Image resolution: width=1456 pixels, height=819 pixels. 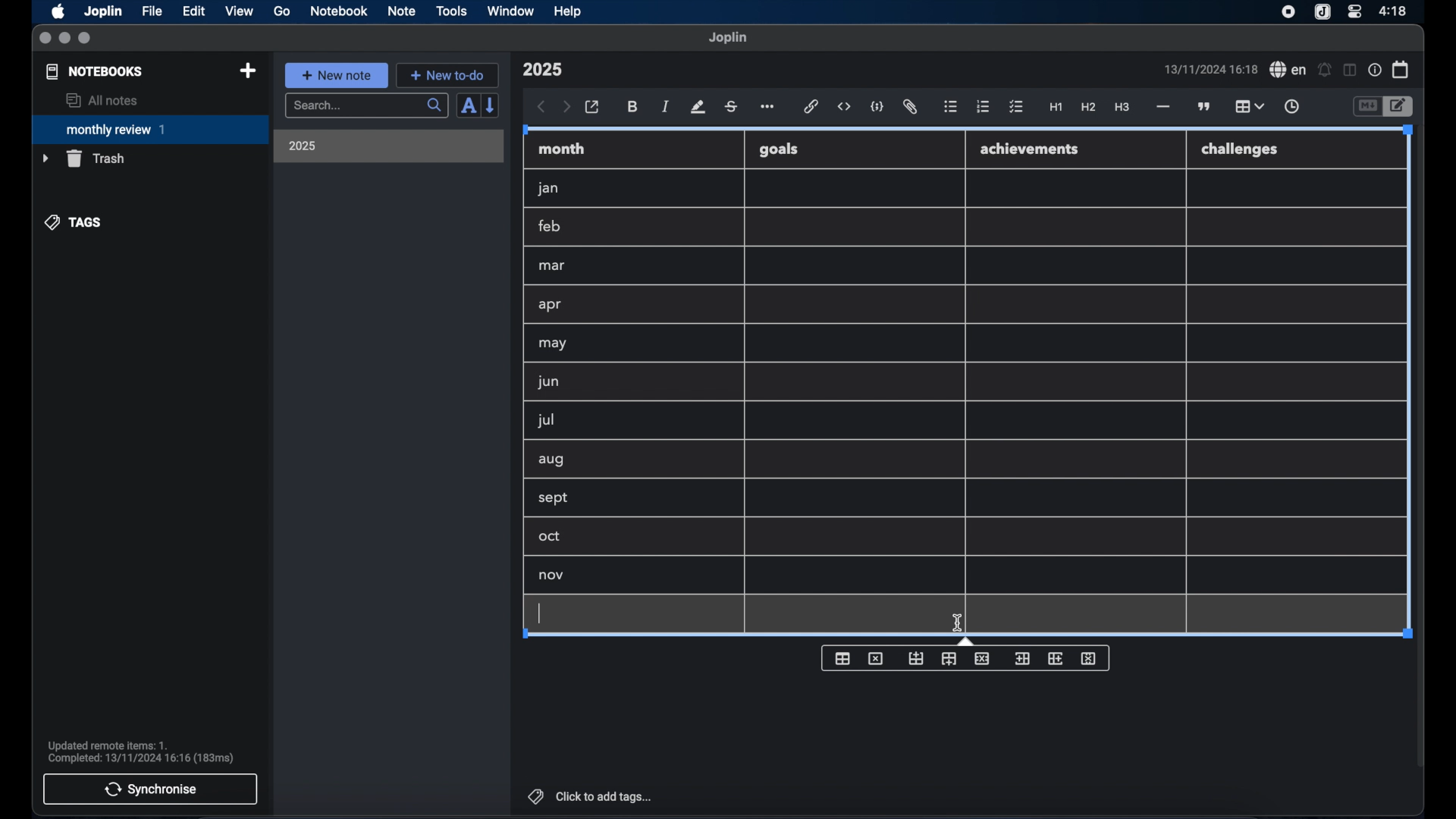 What do you see at coordinates (102, 100) in the screenshot?
I see `all notes` at bounding box center [102, 100].